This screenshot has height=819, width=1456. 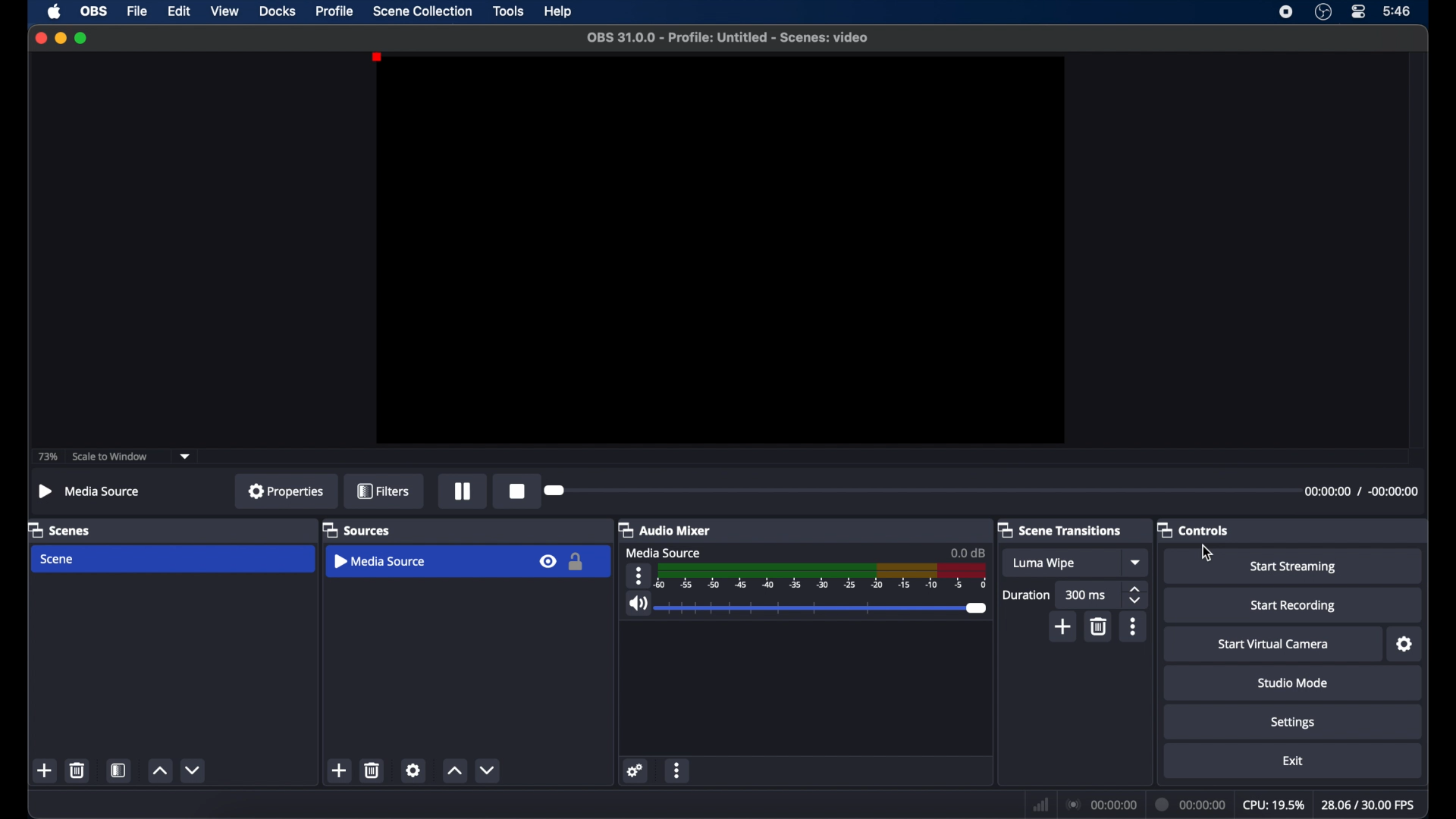 What do you see at coordinates (58, 560) in the screenshot?
I see `scene` at bounding box center [58, 560].